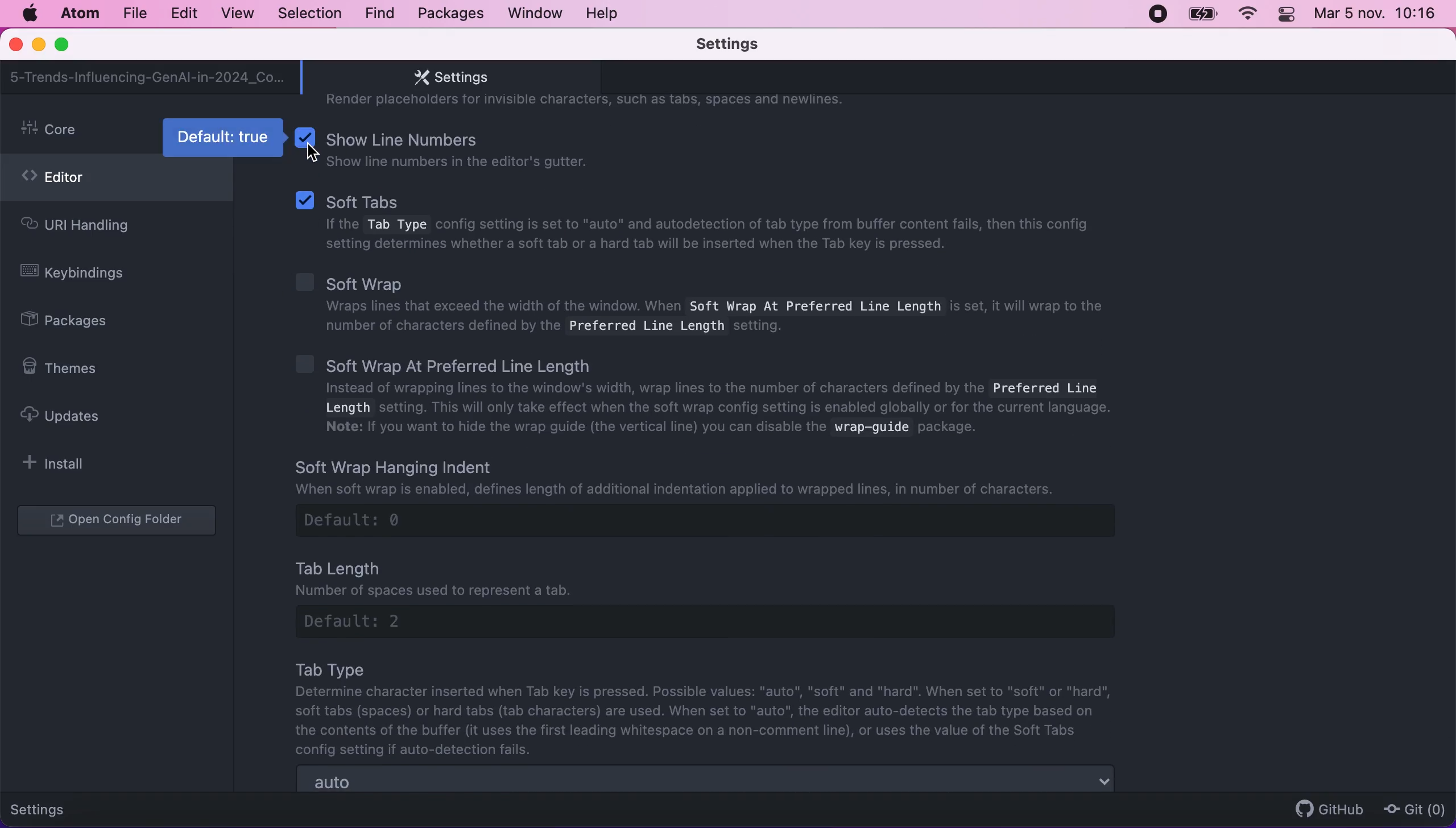 The image size is (1456, 828). What do you see at coordinates (17, 45) in the screenshot?
I see `close` at bounding box center [17, 45].